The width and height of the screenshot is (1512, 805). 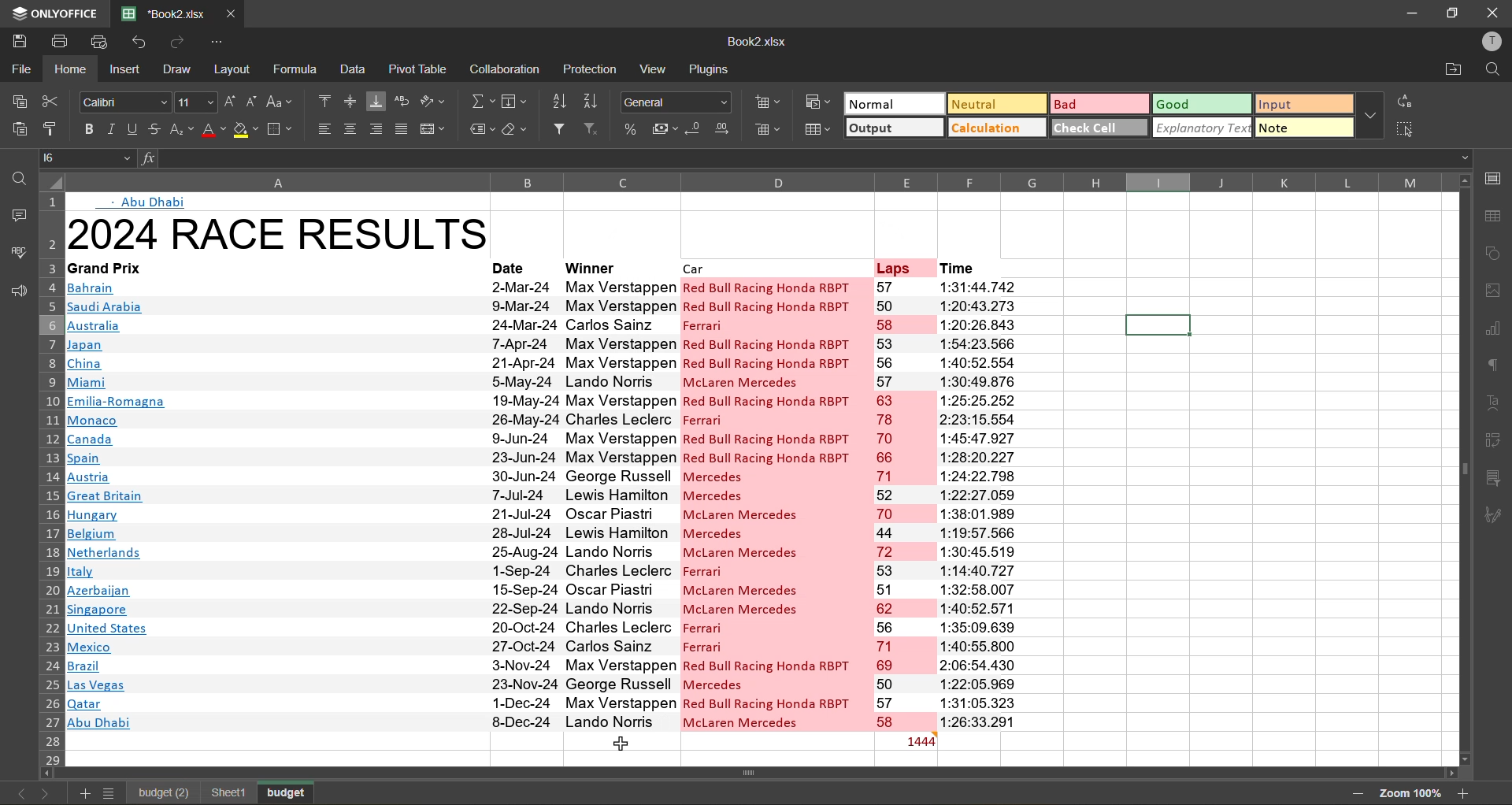 I want to click on feedback, so click(x=16, y=292).